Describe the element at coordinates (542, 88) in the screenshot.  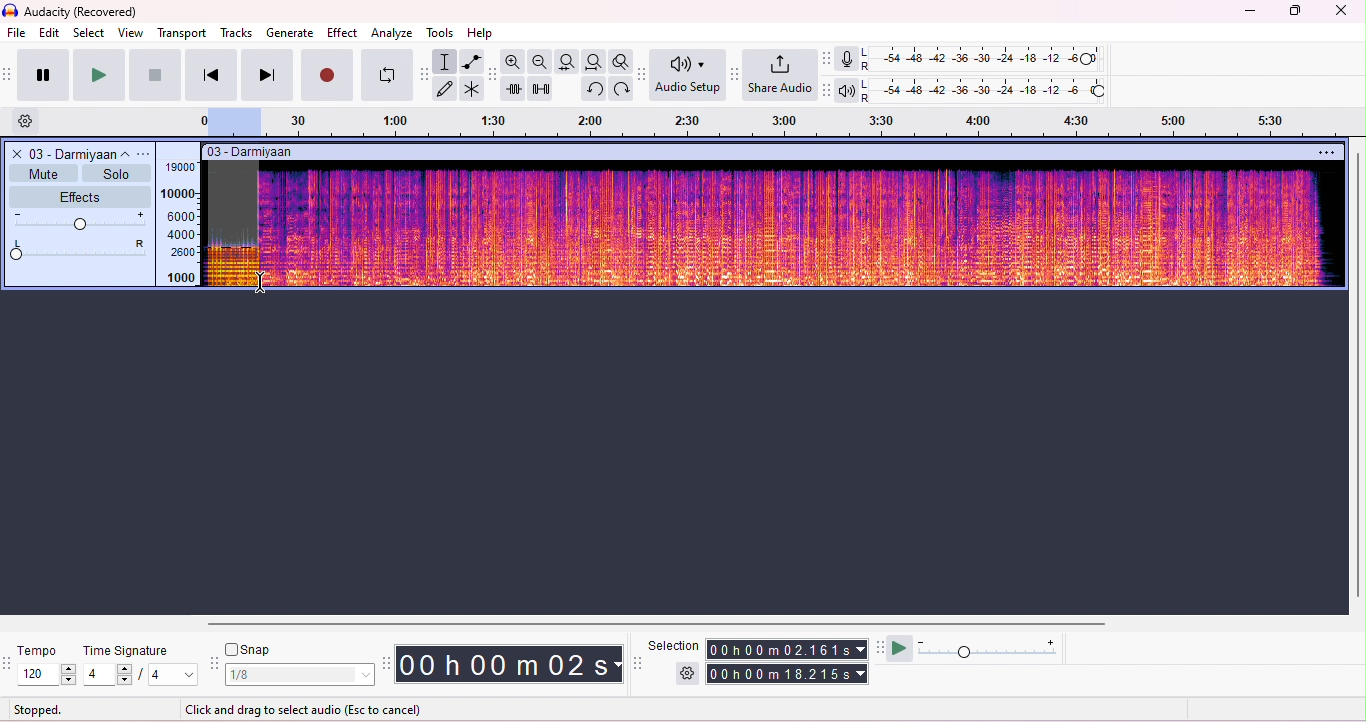
I see `silence selection` at that location.